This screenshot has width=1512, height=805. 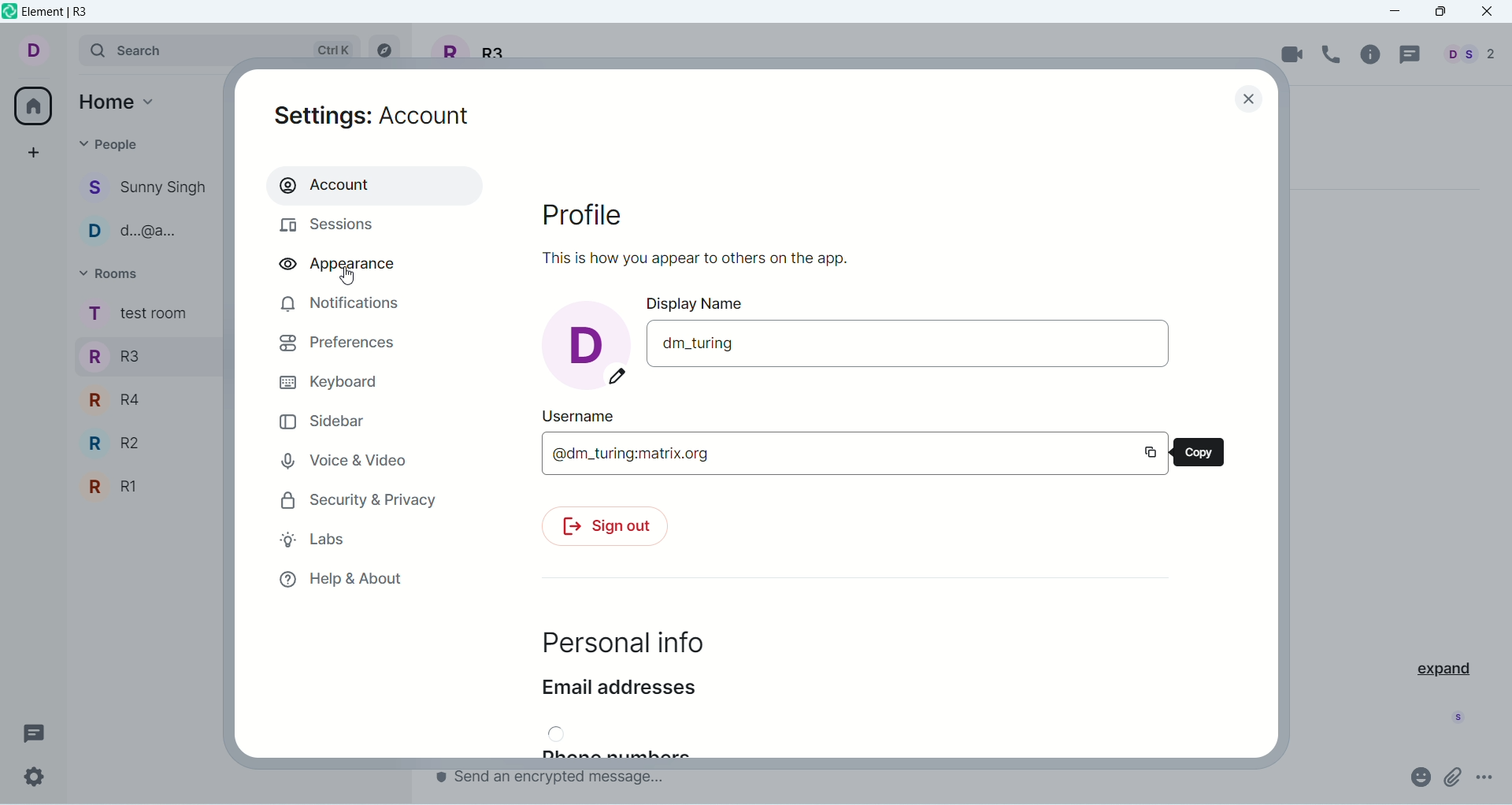 What do you see at coordinates (387, 50) in the screenshot?
I see `explore rooms` at bounding box center [387, 50].